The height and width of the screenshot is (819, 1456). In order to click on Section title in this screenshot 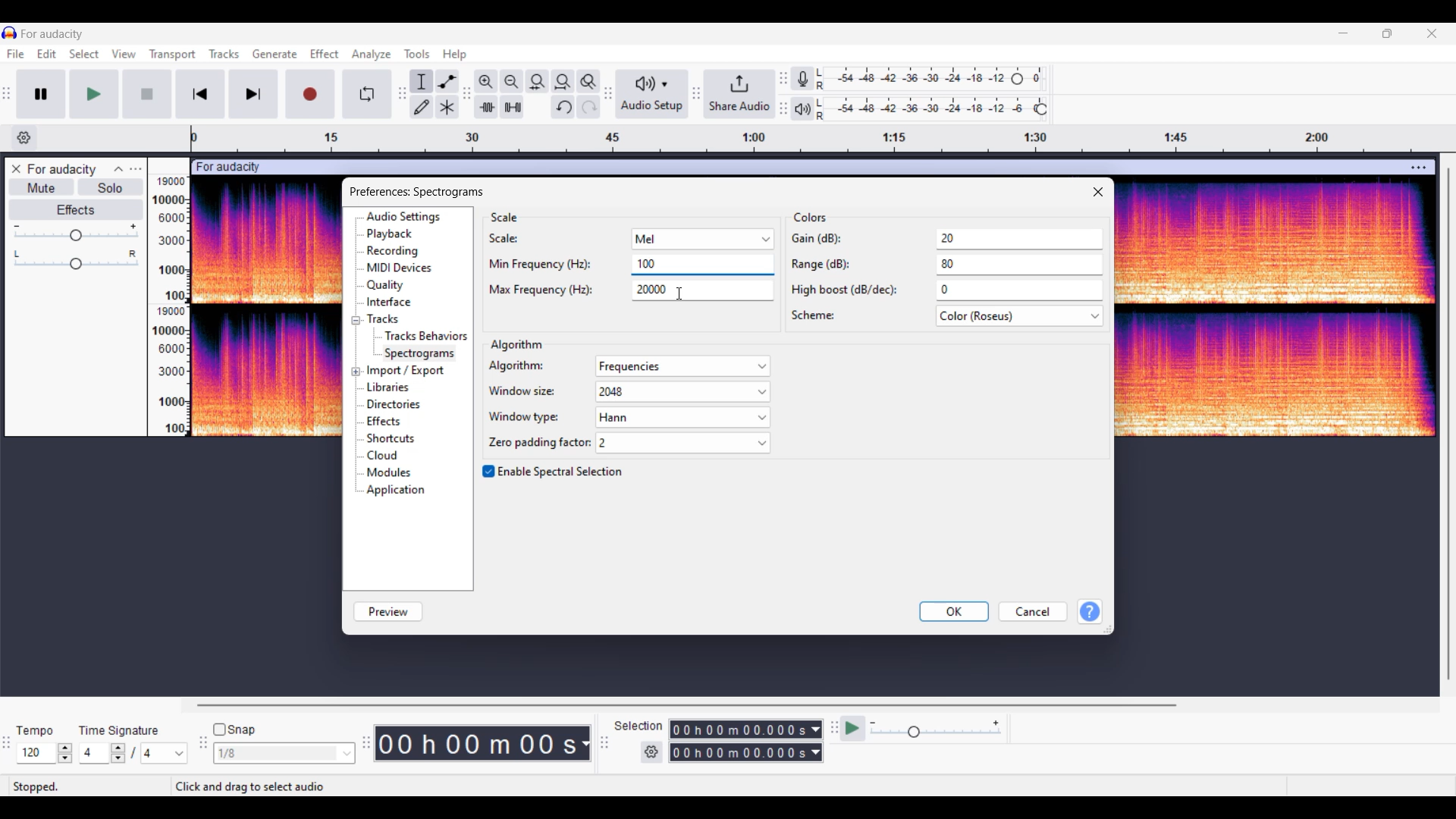, I will do `click(811, 217)`.